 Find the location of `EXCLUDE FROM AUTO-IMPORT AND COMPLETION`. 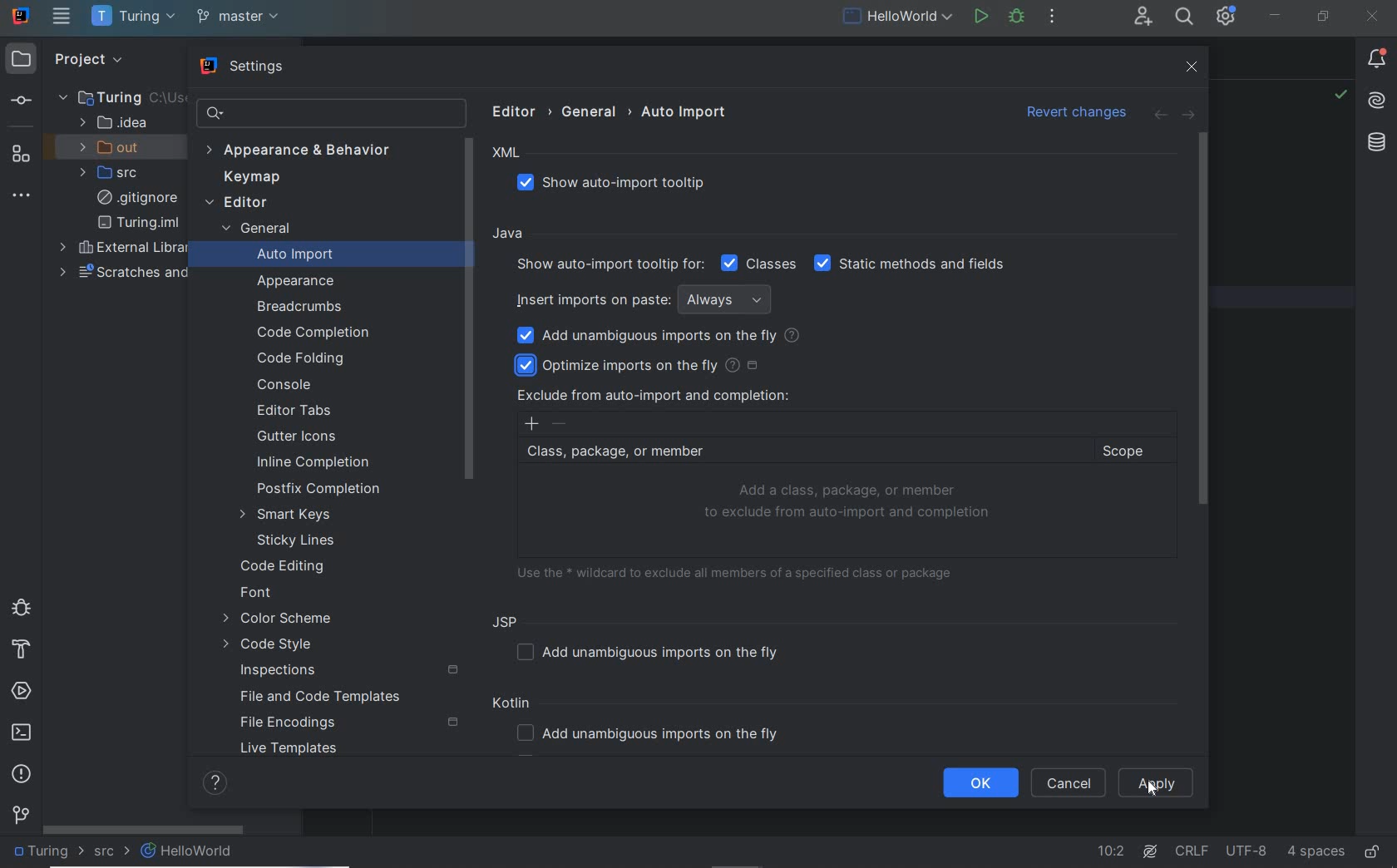

EXCLUDE FROM AUTO-IMPORT AND COMPLETION is located at coordinates (653, 395).